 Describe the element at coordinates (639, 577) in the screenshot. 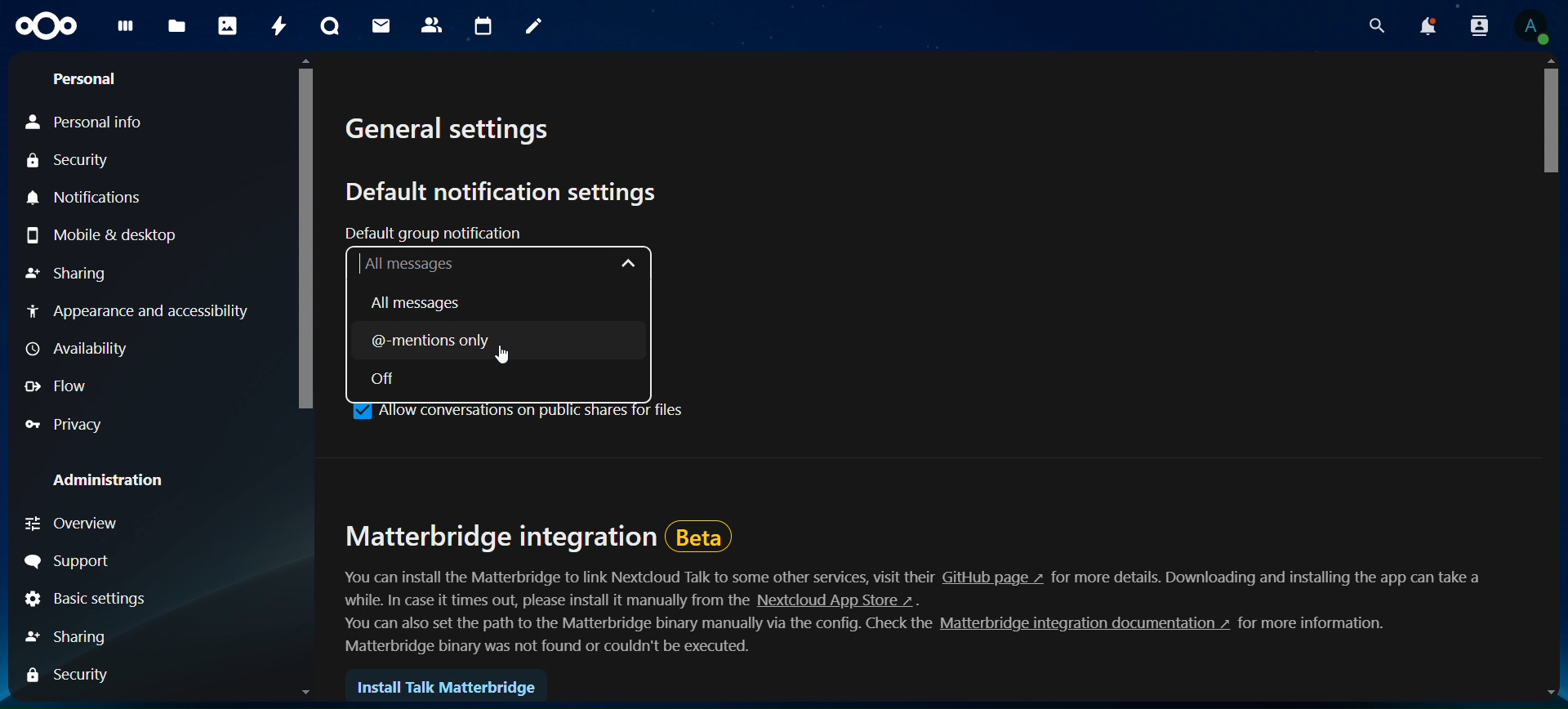

I see `text` at that location.